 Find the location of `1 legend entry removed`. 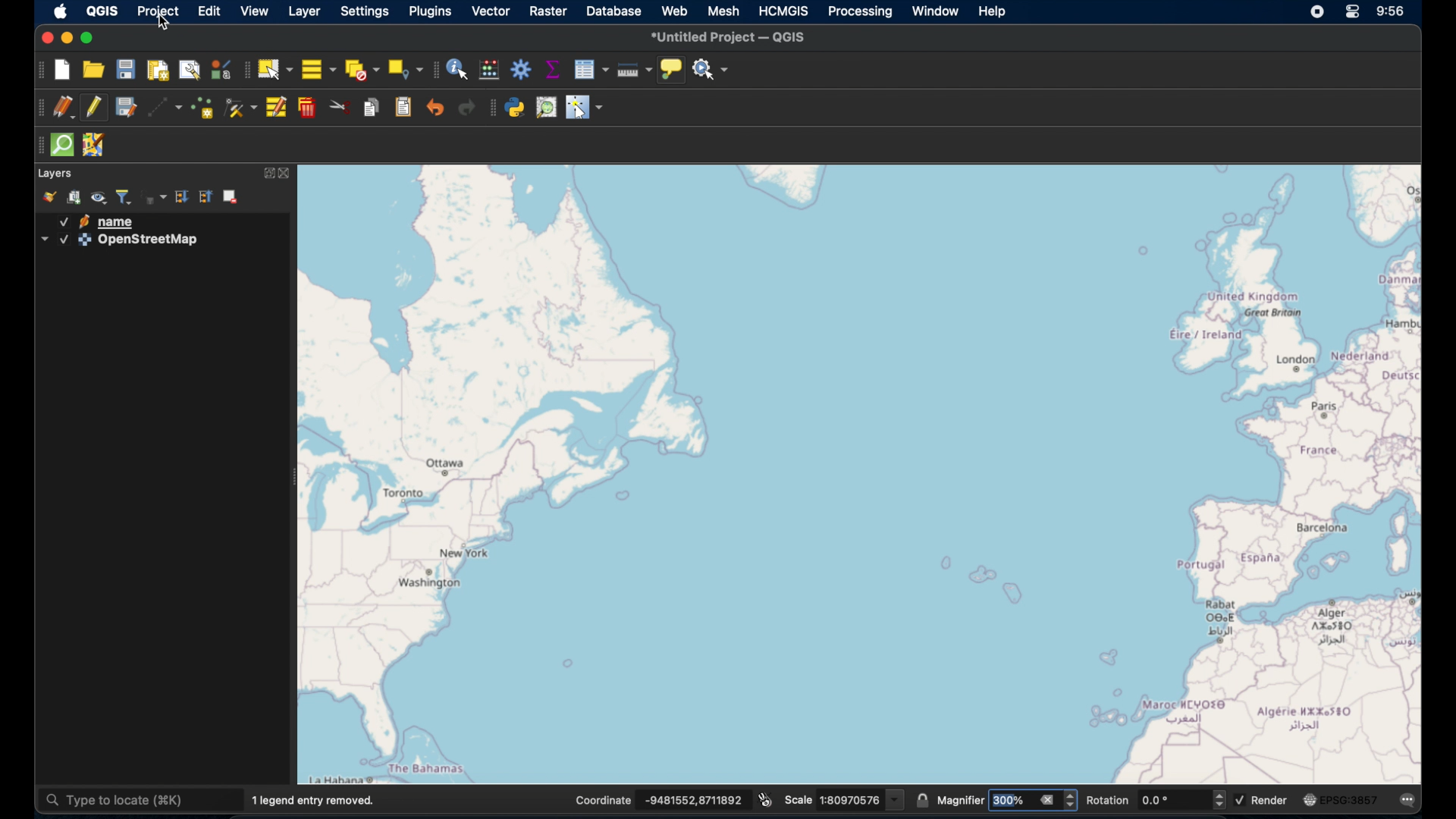

1 legend entry removed is located at coordinates (317, 800).